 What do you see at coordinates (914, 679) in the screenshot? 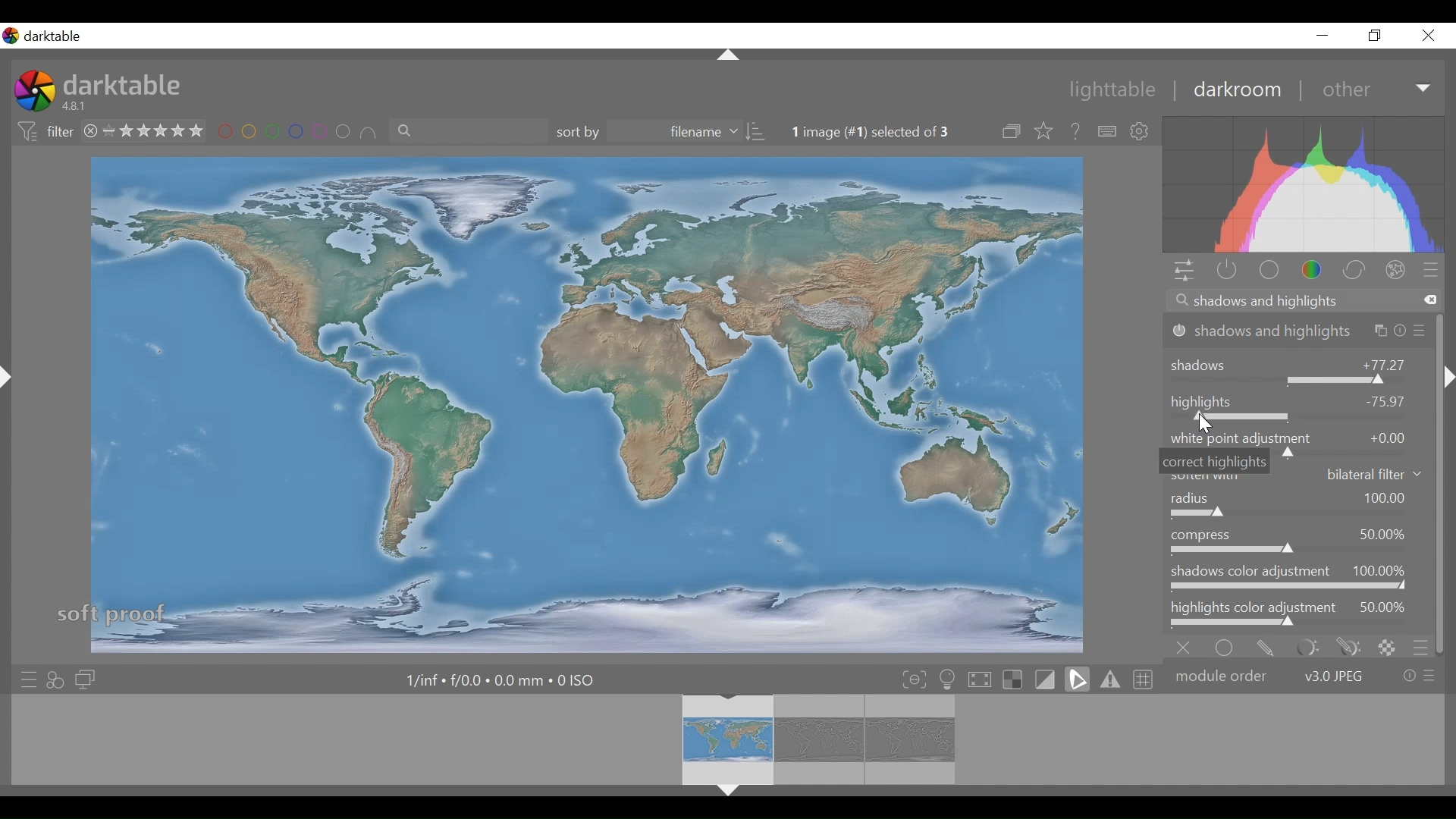
I see `toggle focus-peaking mode` at bounding box center [914, 679].